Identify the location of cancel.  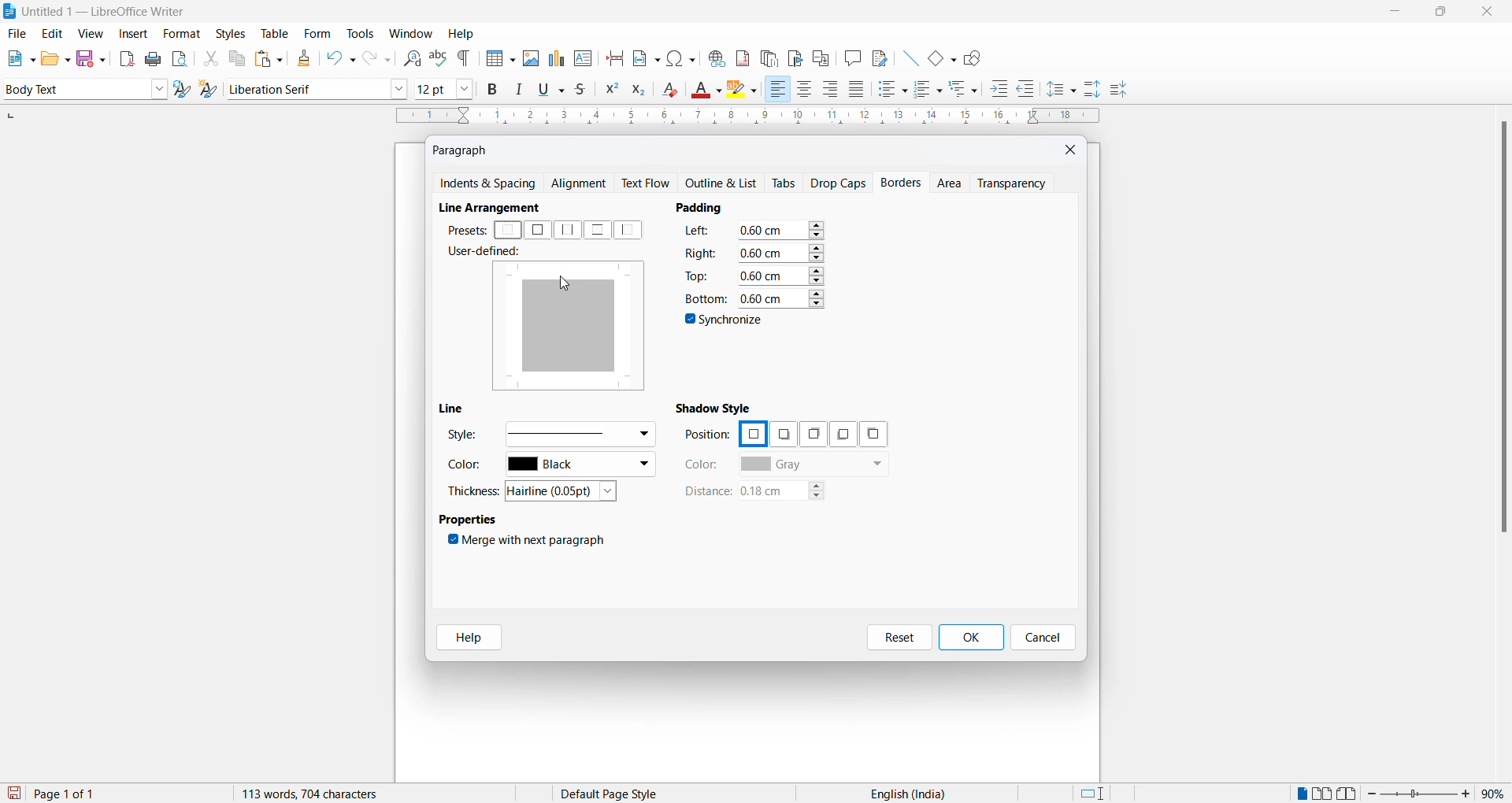
(1043, 638).